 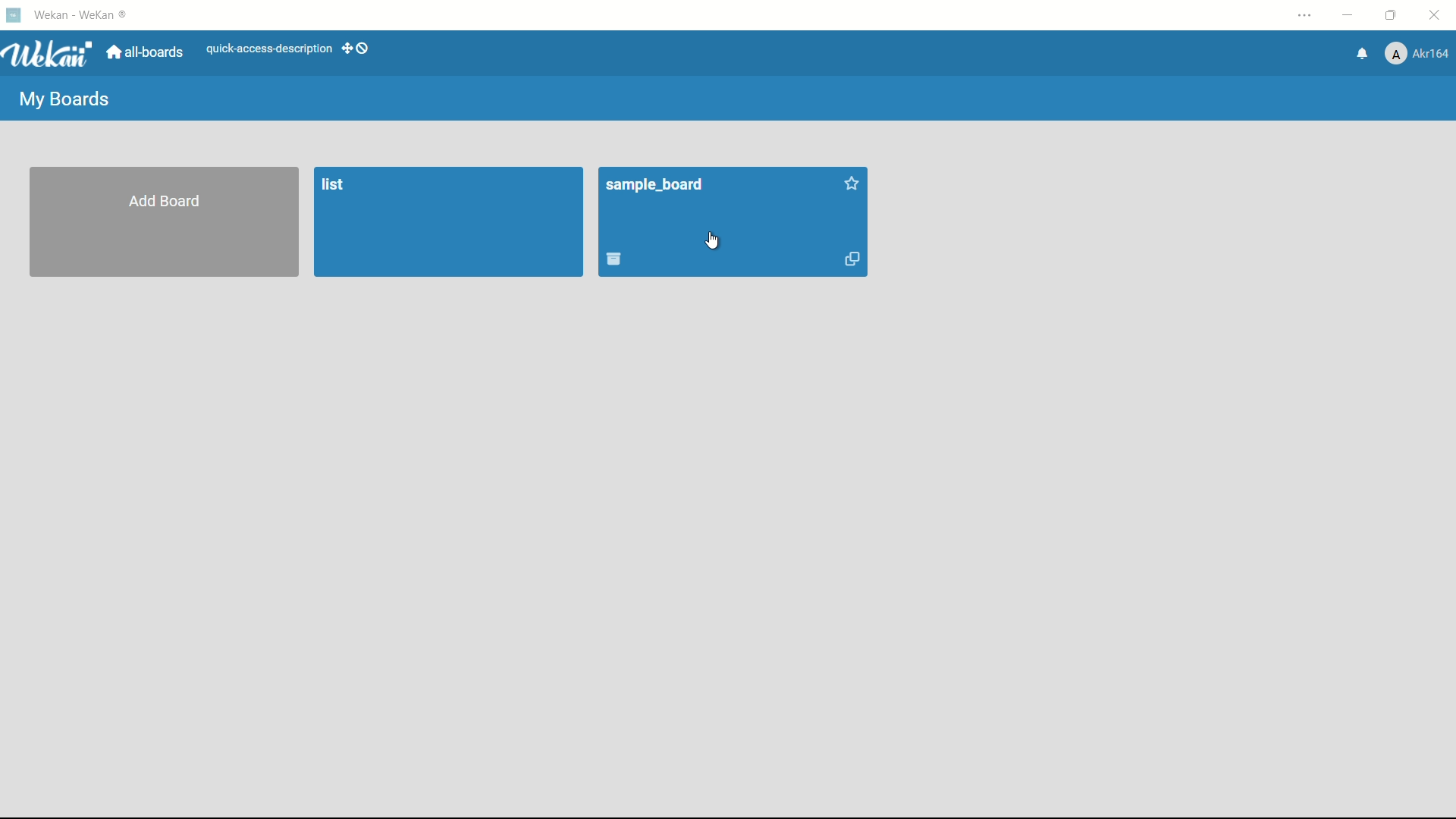 What do you see at coordinates (145, 54) in the screenshot?
I see `all boards` at bounding box center [145, 54].